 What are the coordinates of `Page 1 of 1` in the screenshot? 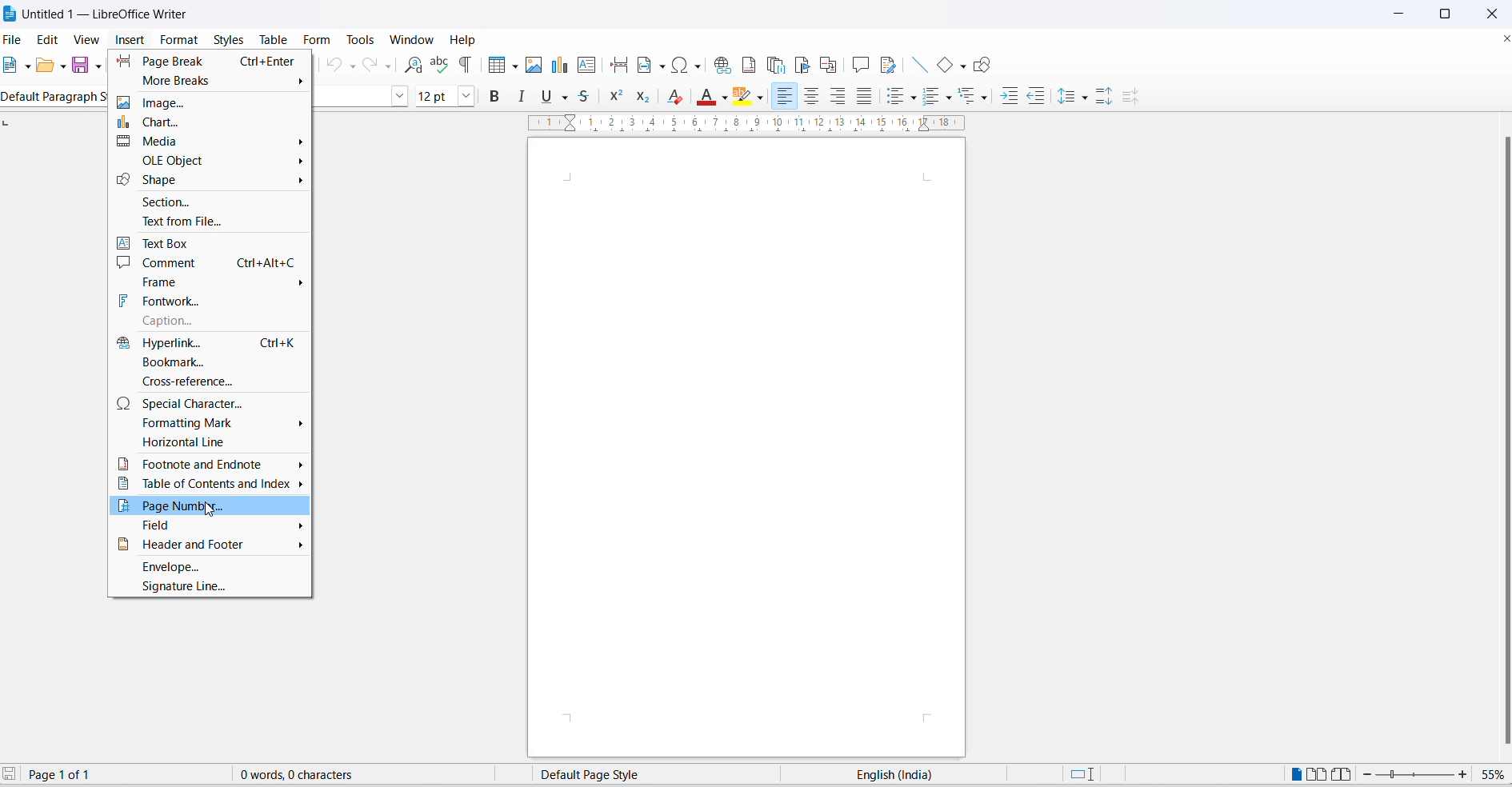 It's located at (70, 775).